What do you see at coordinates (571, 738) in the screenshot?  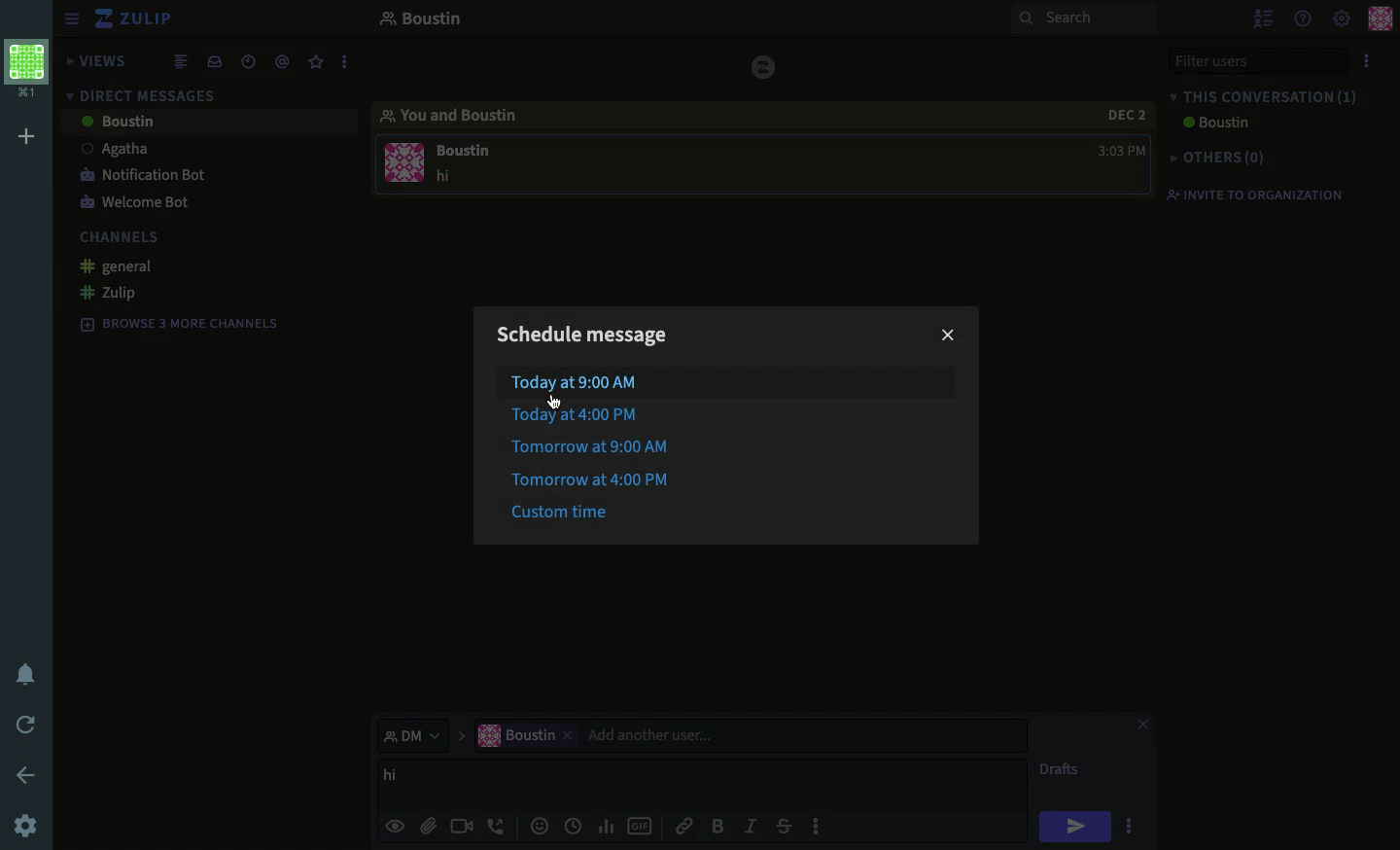 I see `remove` at bounding box center [571, 738].